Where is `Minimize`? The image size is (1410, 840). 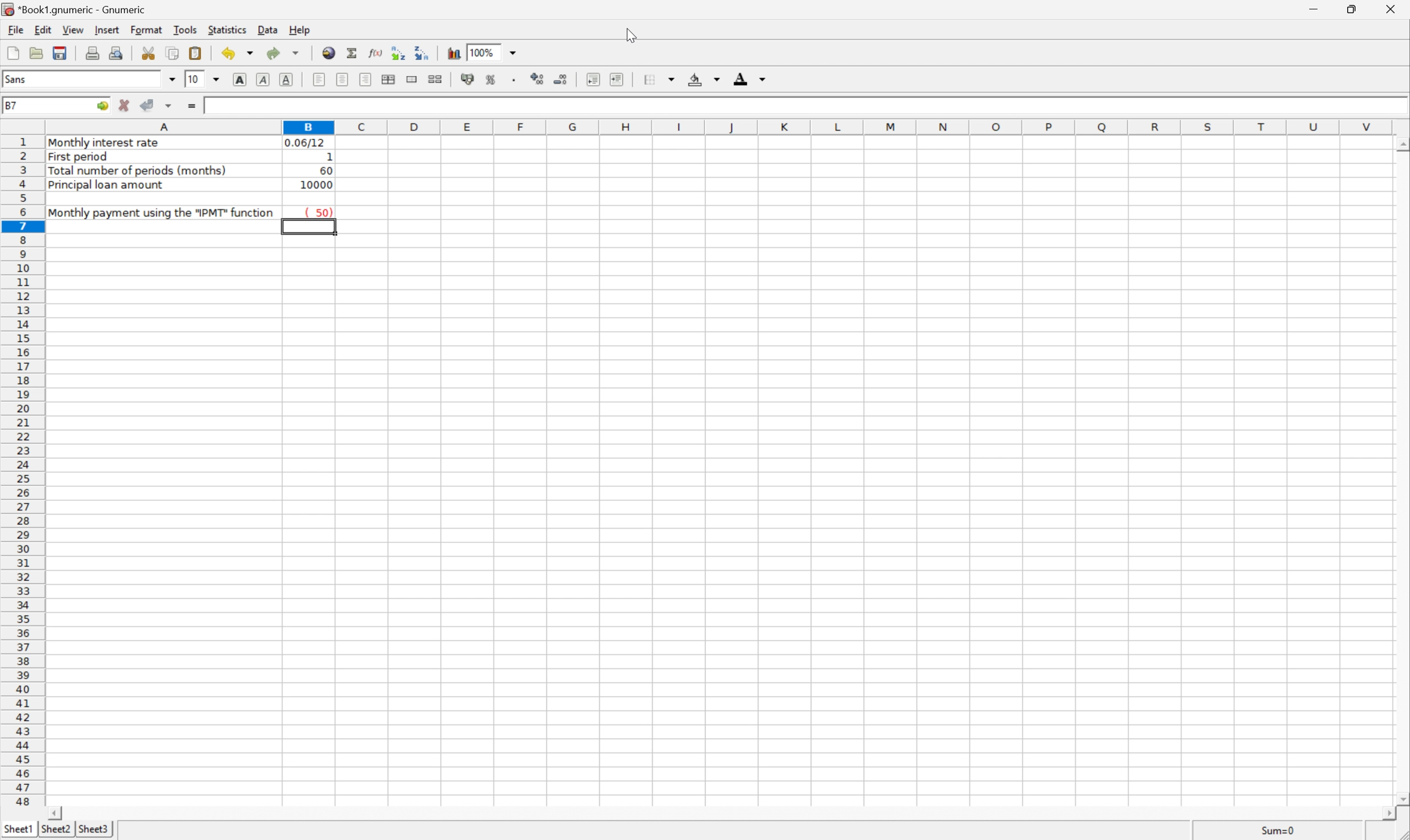
Minimize is located at coordinates (1310, 8).